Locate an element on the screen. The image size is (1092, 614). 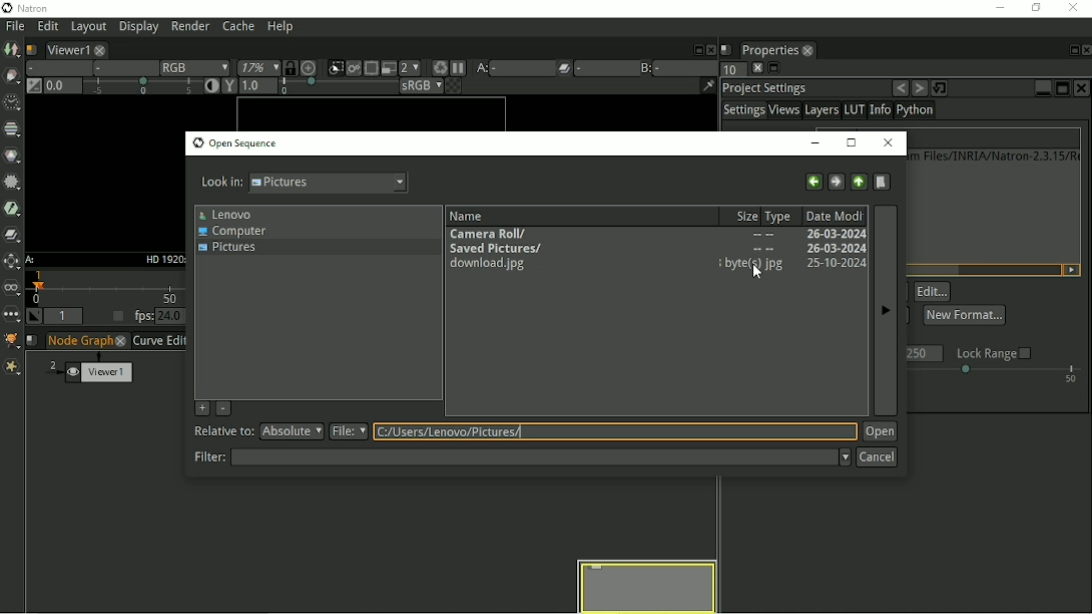
Restore default value is located at coordinates (942, 87).